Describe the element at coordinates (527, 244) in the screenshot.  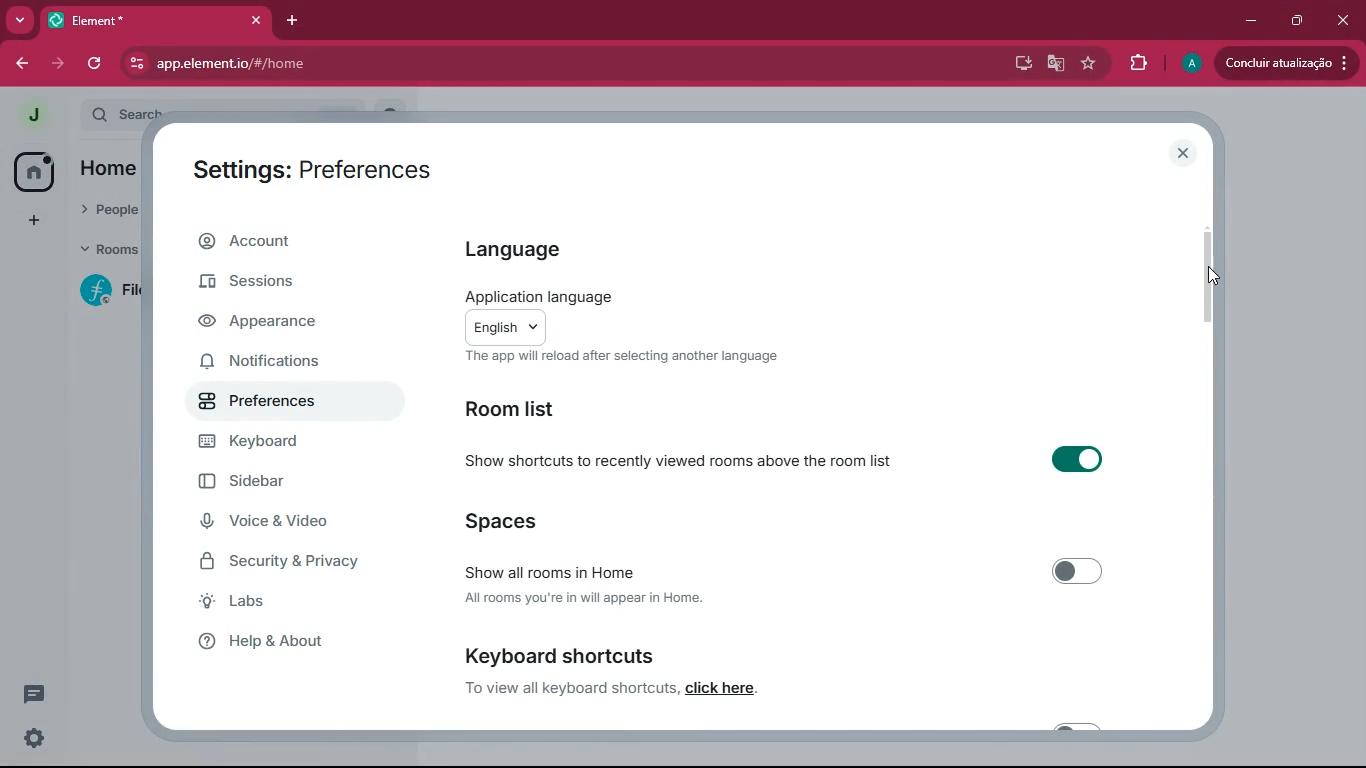
I see `language` at that location.